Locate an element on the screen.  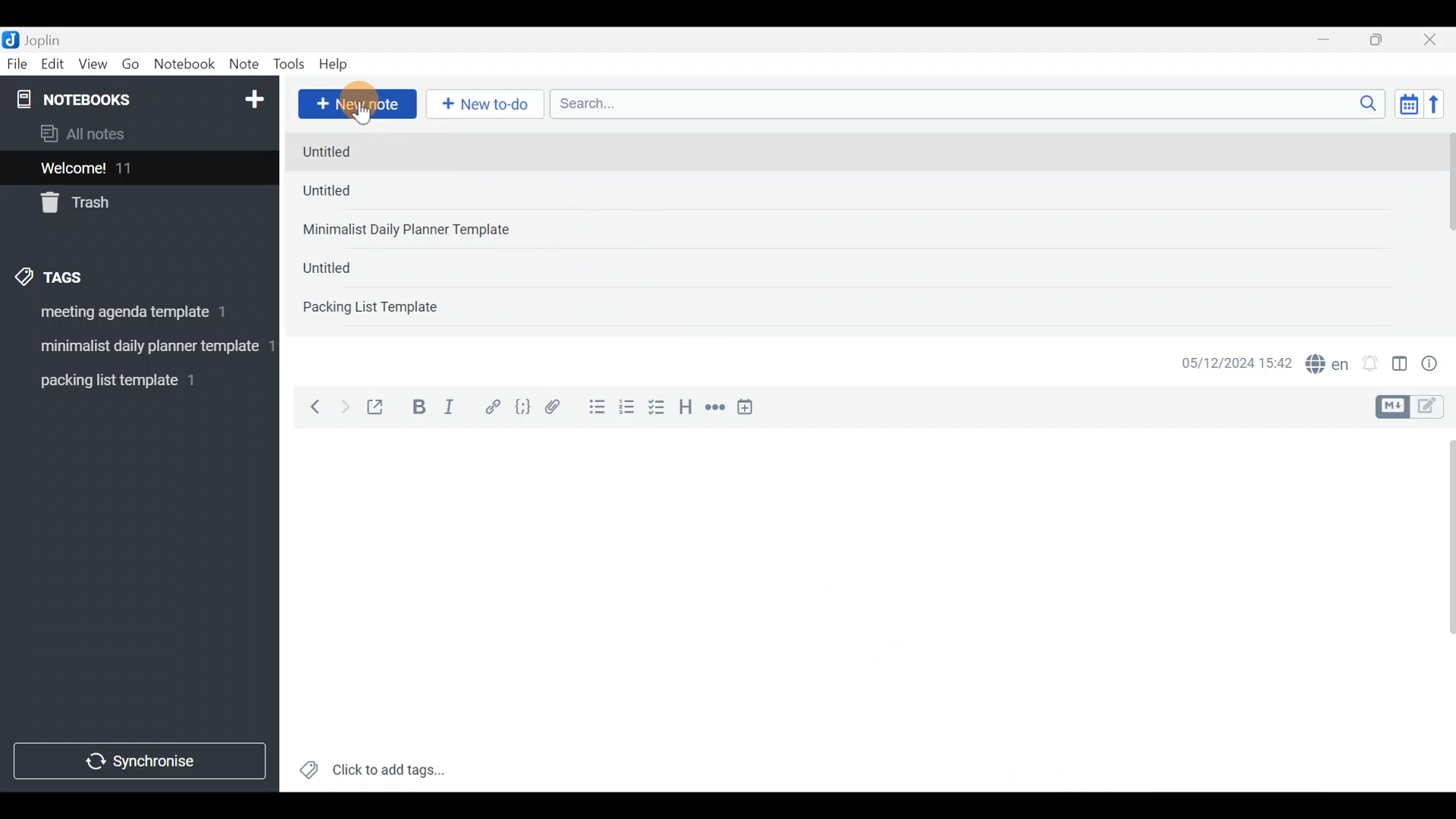
File is located at coordinates (18, 64).